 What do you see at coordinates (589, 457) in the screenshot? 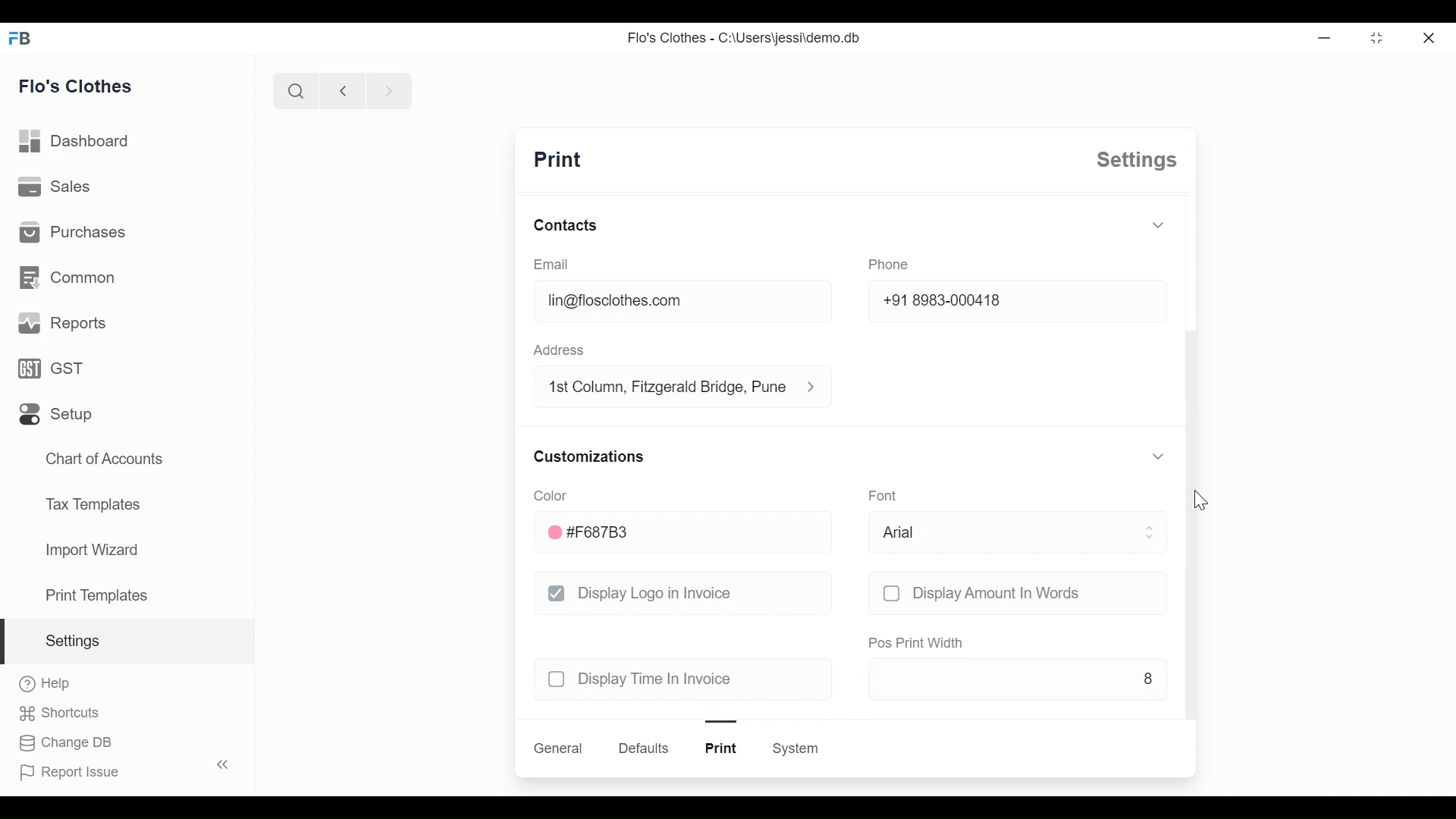
I see `customizations` at bounding box center [589, 457].